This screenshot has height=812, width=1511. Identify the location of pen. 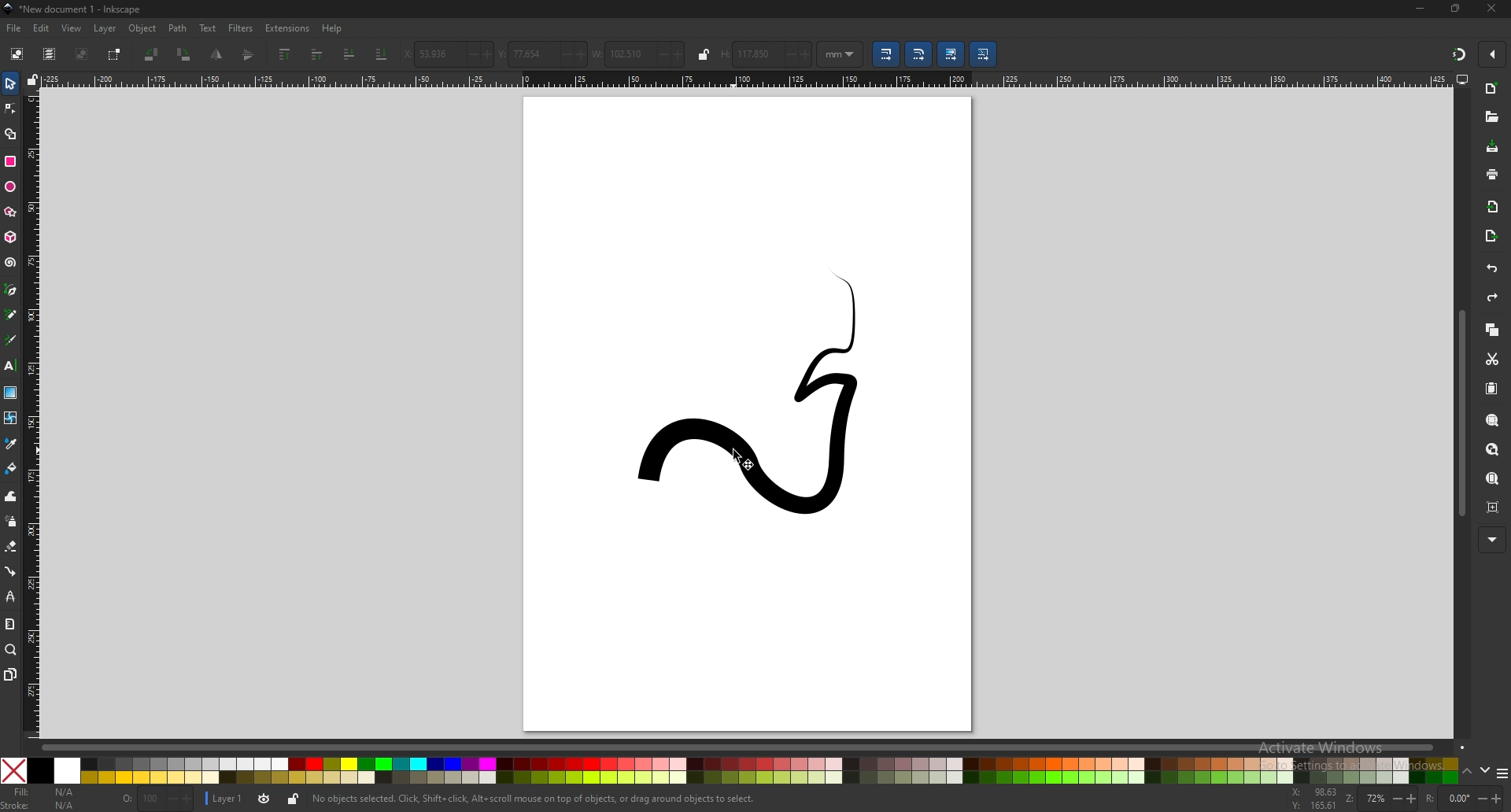
(10, 290).